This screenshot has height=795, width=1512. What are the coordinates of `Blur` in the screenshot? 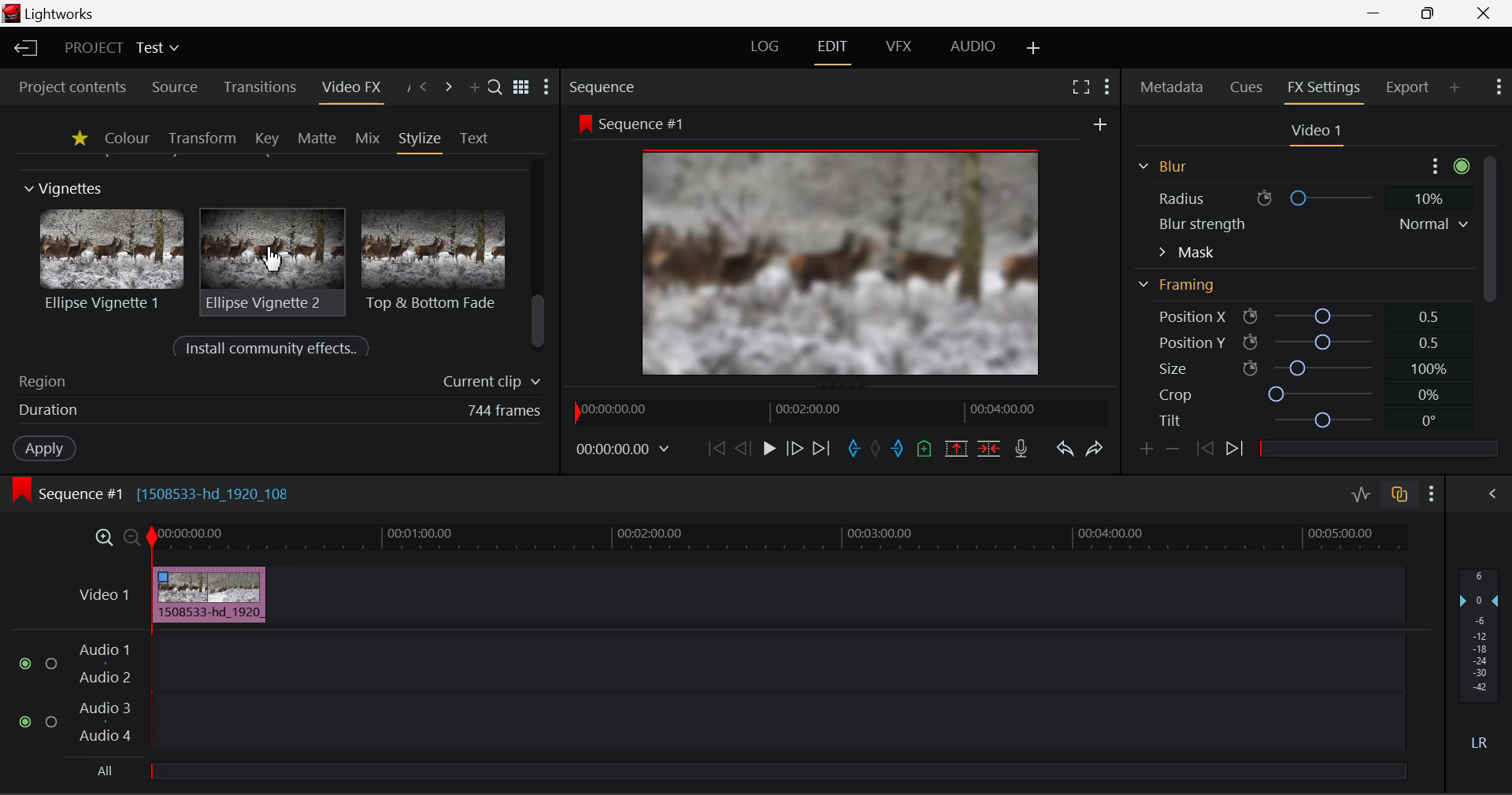 It's located at (1161, 165).